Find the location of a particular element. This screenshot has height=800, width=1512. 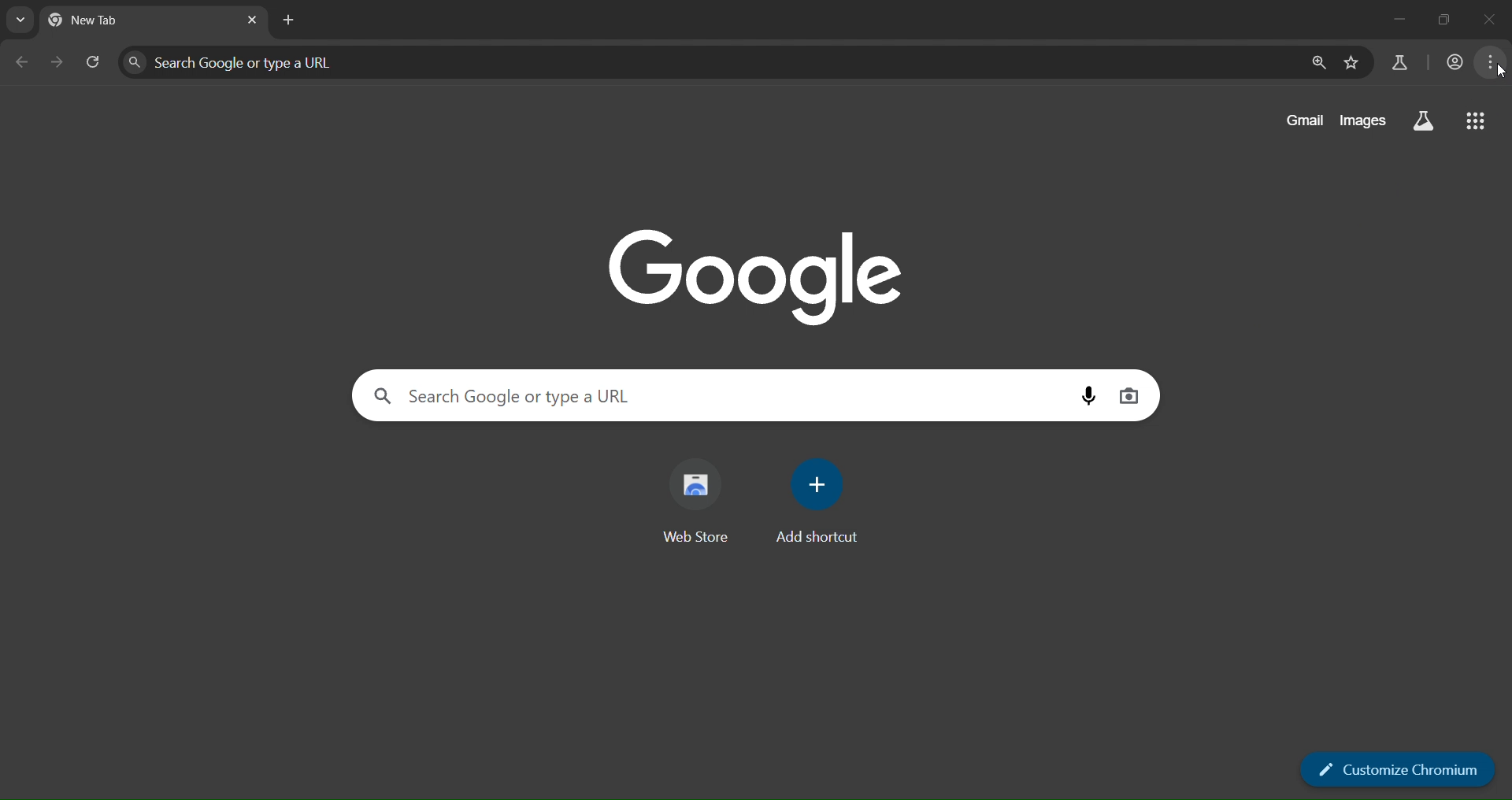

Google logo is located at coordinates (758, 276).